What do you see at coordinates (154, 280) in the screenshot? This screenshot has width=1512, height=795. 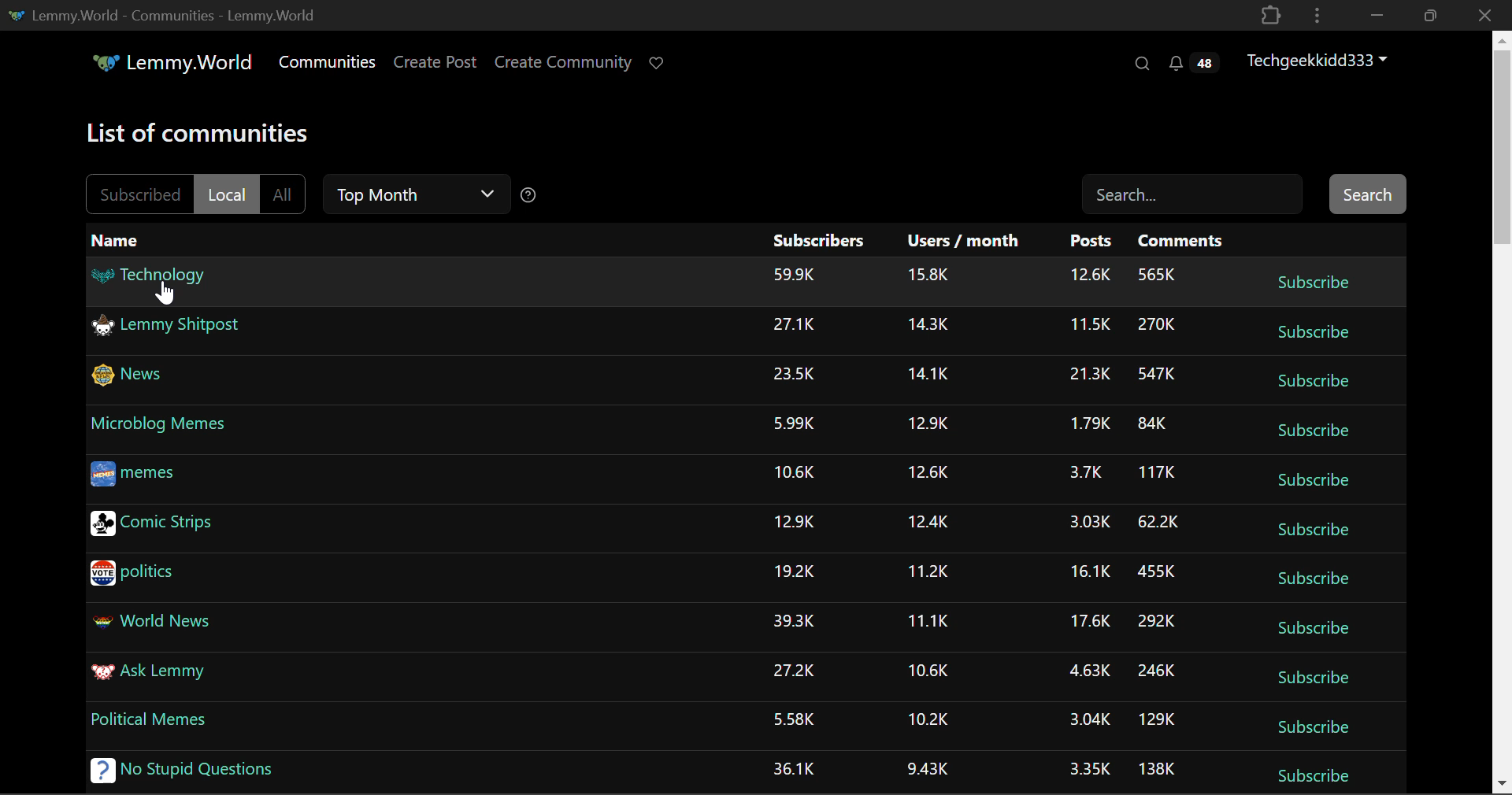 I see `Technology` at bounding box center [154, 280].